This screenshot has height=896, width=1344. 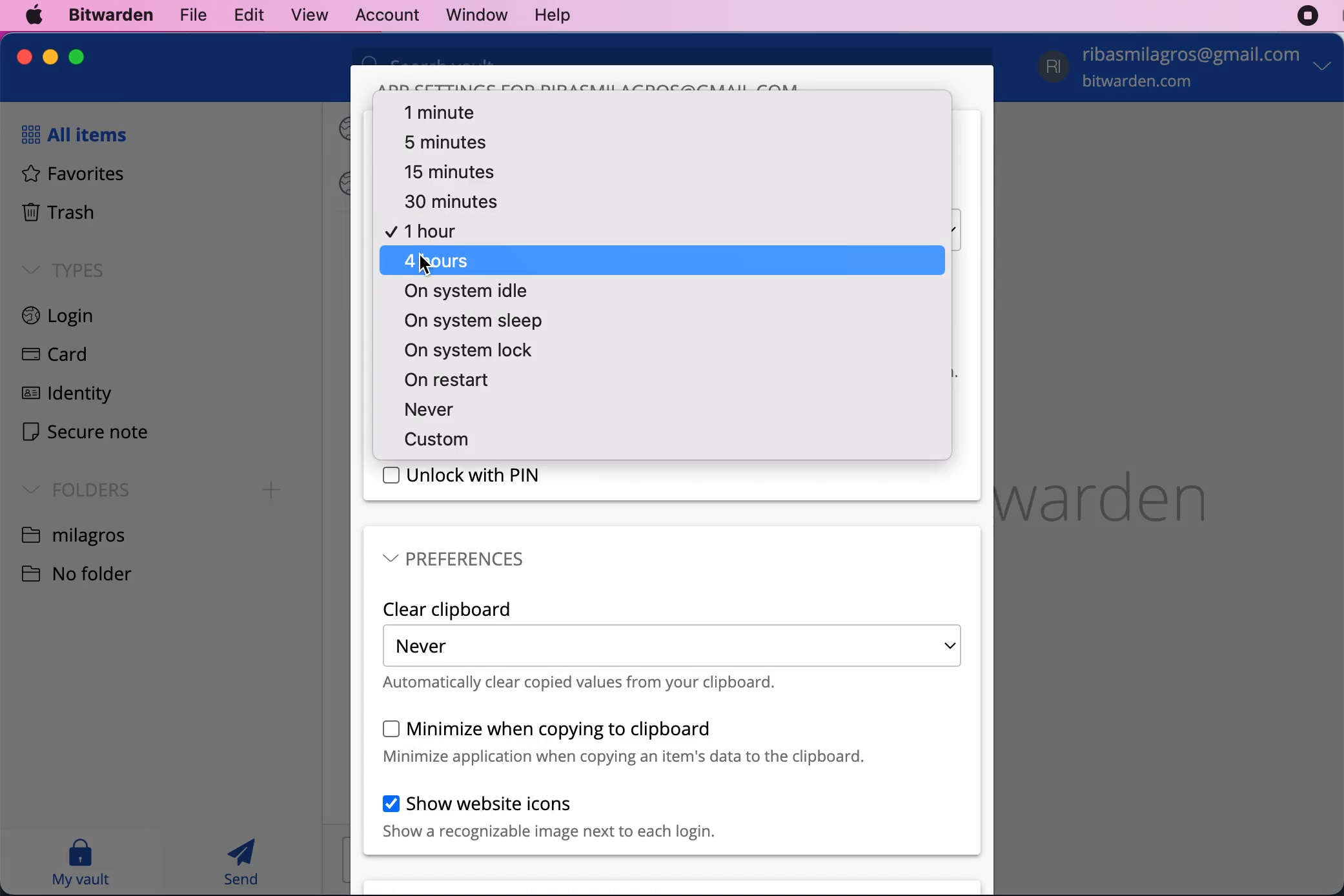 What do you see at coordinates (76, 56) in the screenshot?
I see `maximize` at bounding box center [76, 56].